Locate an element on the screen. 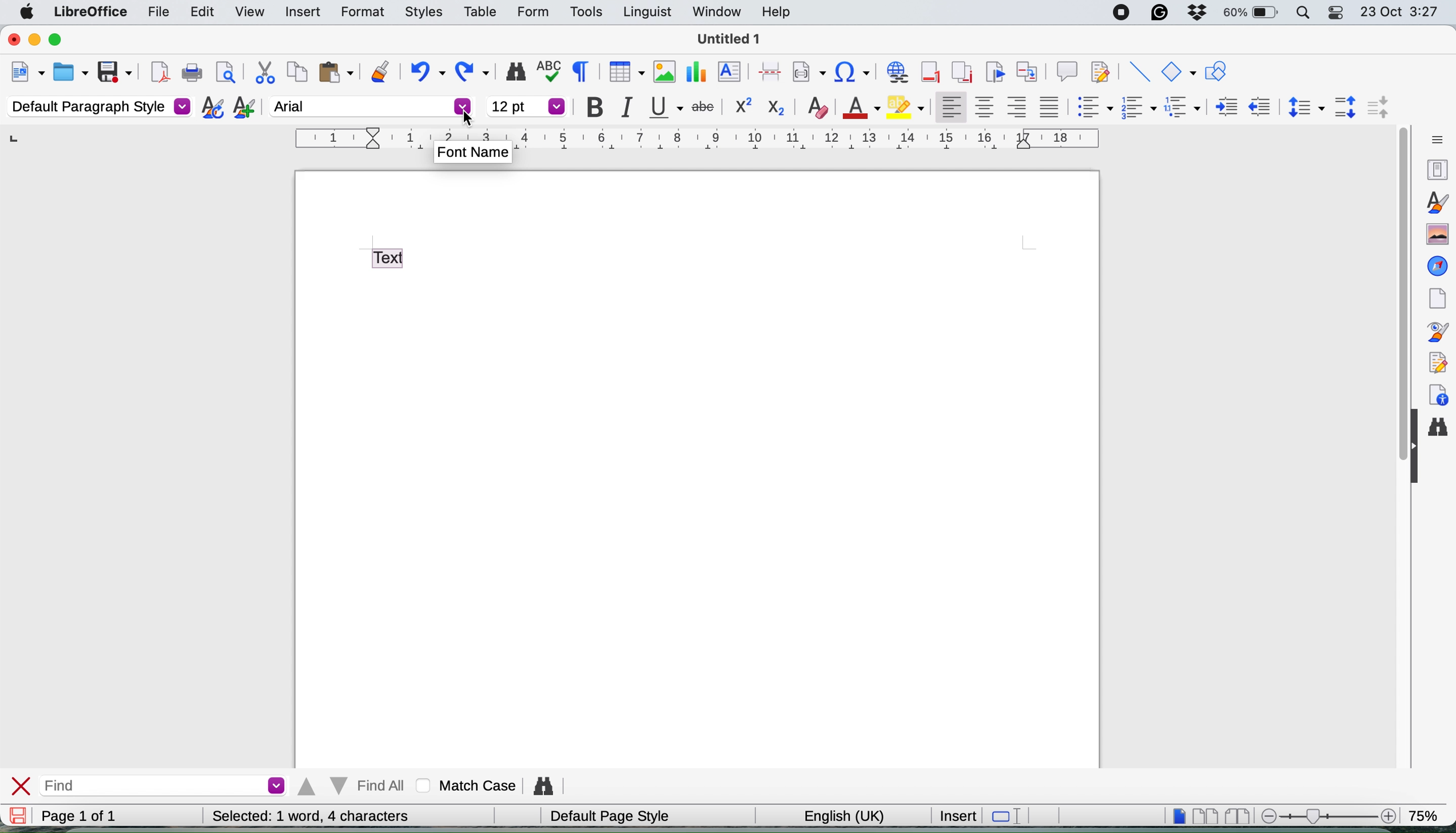 The image size is (1456, 833). arial is located at coordinates (372, 106).